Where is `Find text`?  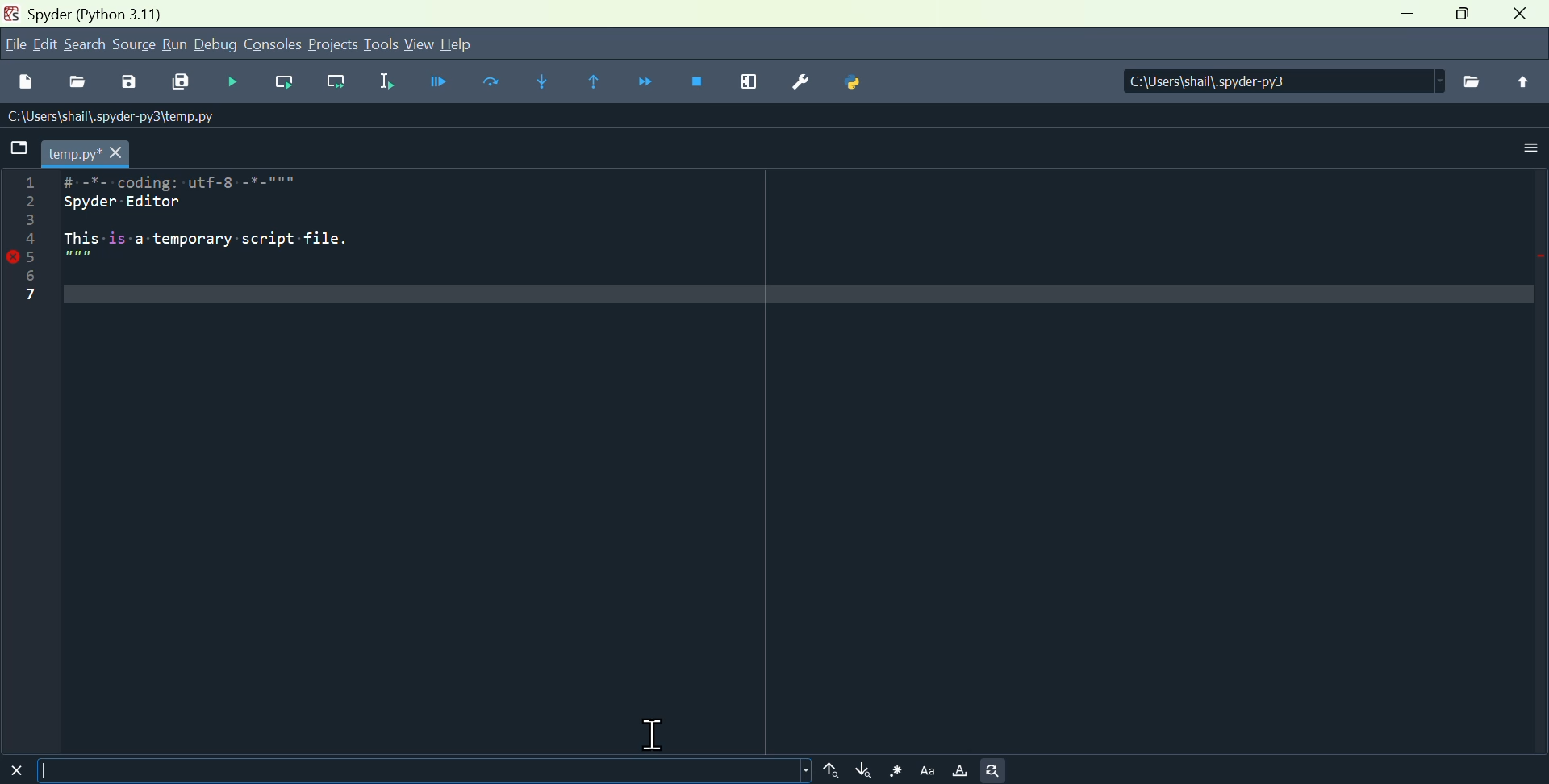 Find text is located at coordinates (428, 770).